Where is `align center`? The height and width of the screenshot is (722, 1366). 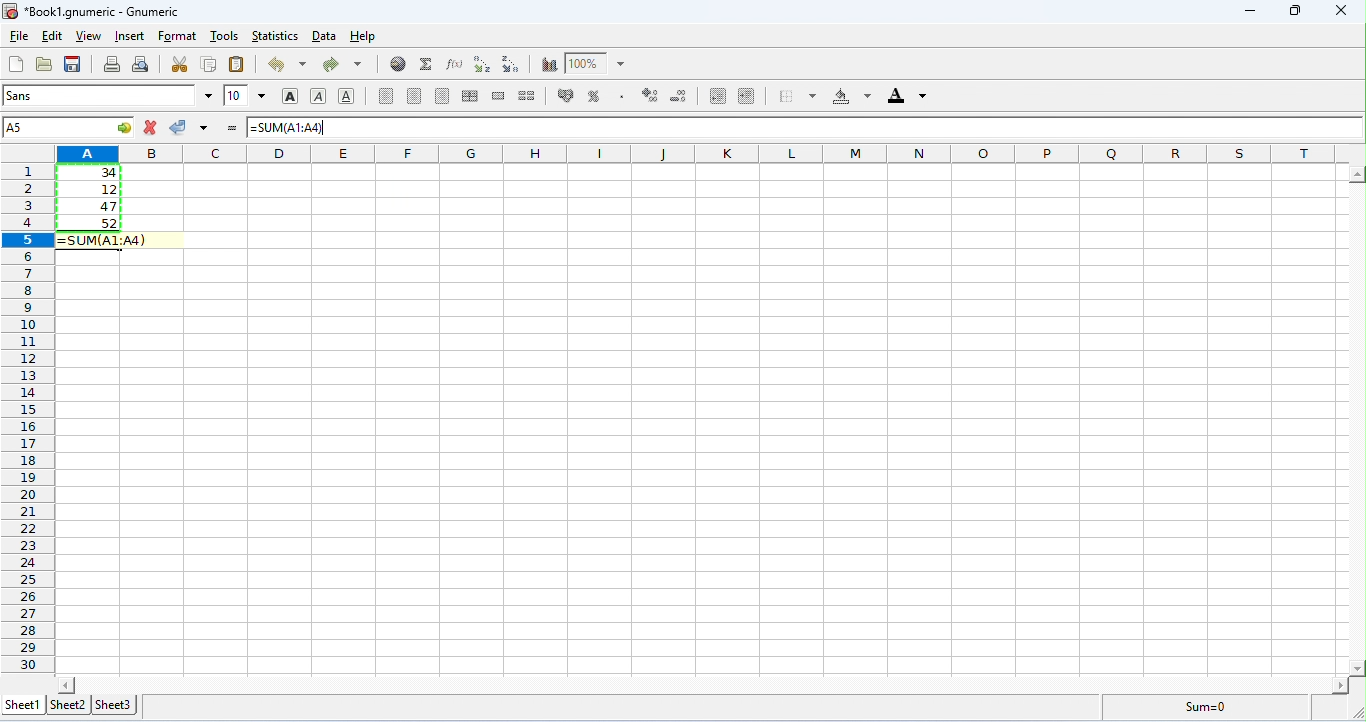 align center is located at coordinates (414, 96).